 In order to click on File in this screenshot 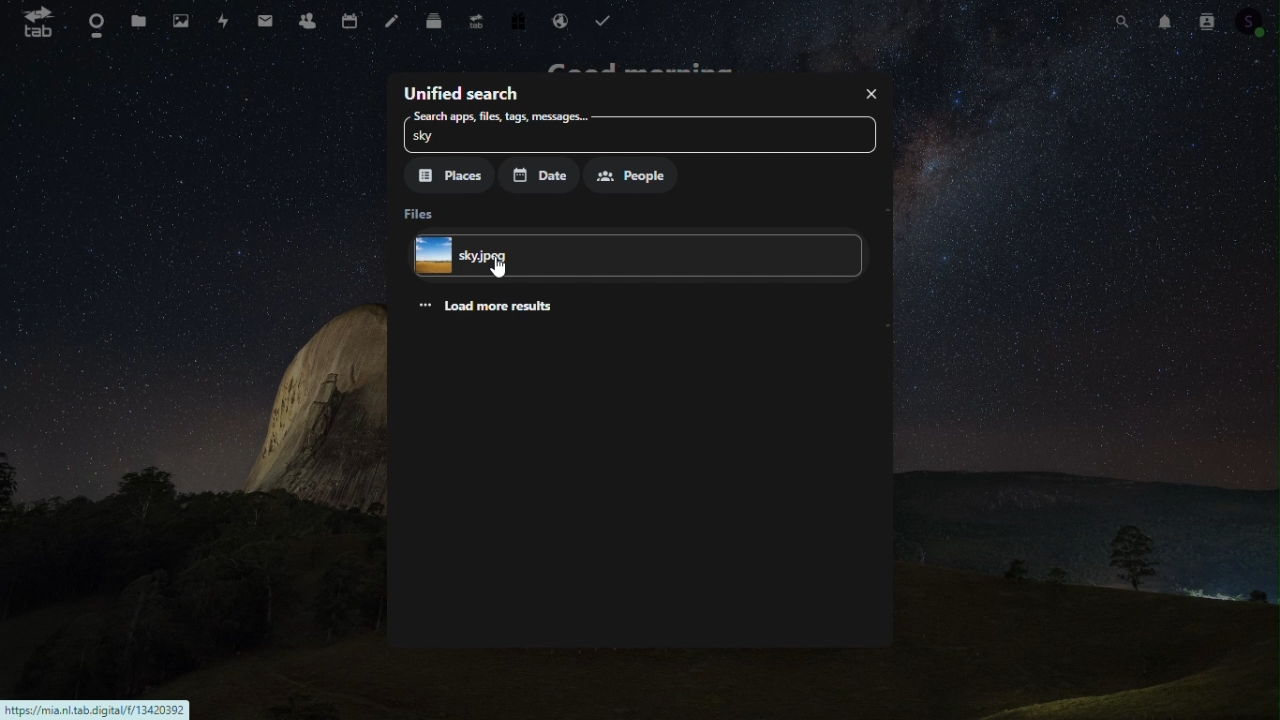, I will do `click(639, 257)`.